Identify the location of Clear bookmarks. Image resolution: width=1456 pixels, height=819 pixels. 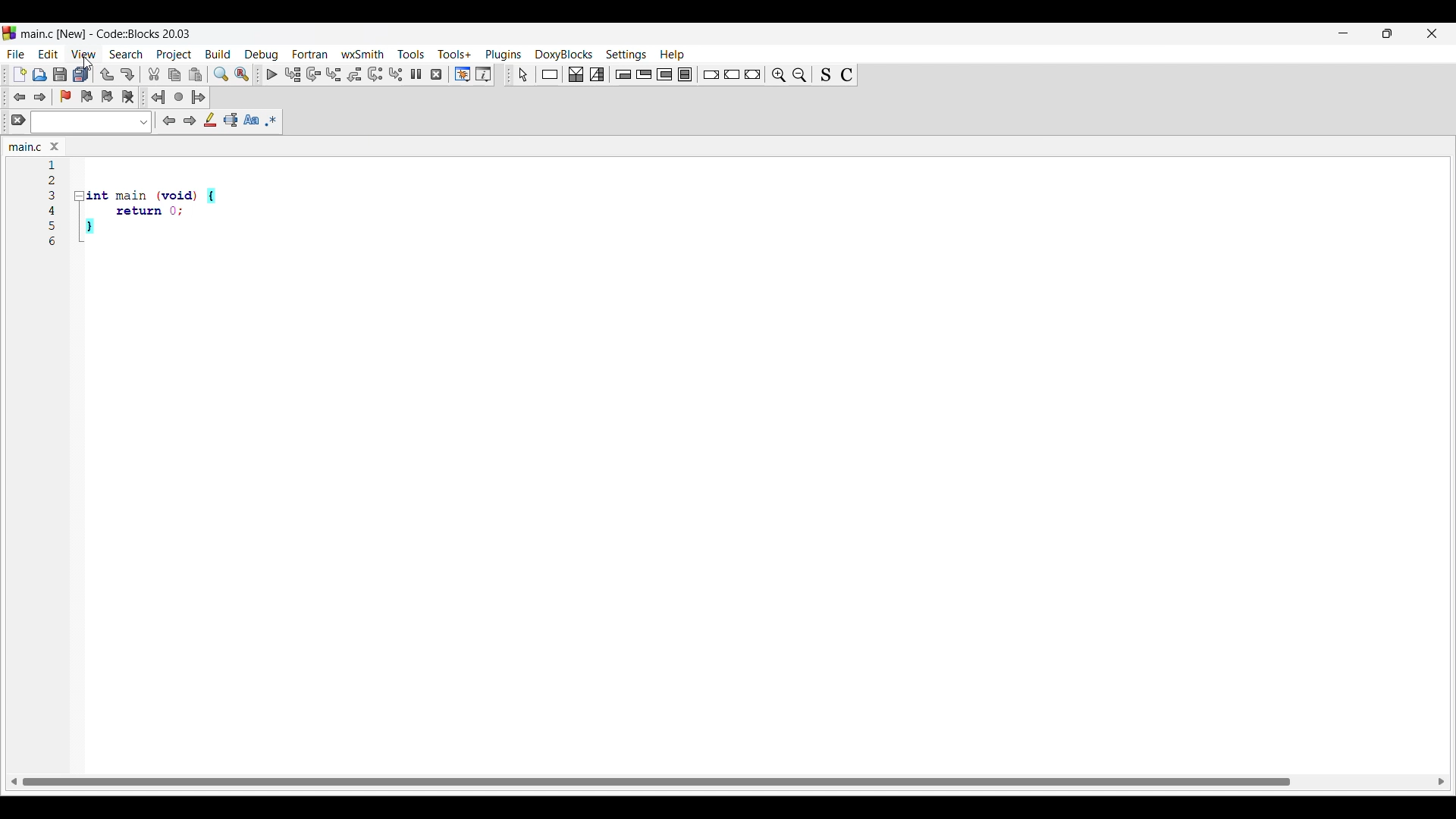
(128, 96).